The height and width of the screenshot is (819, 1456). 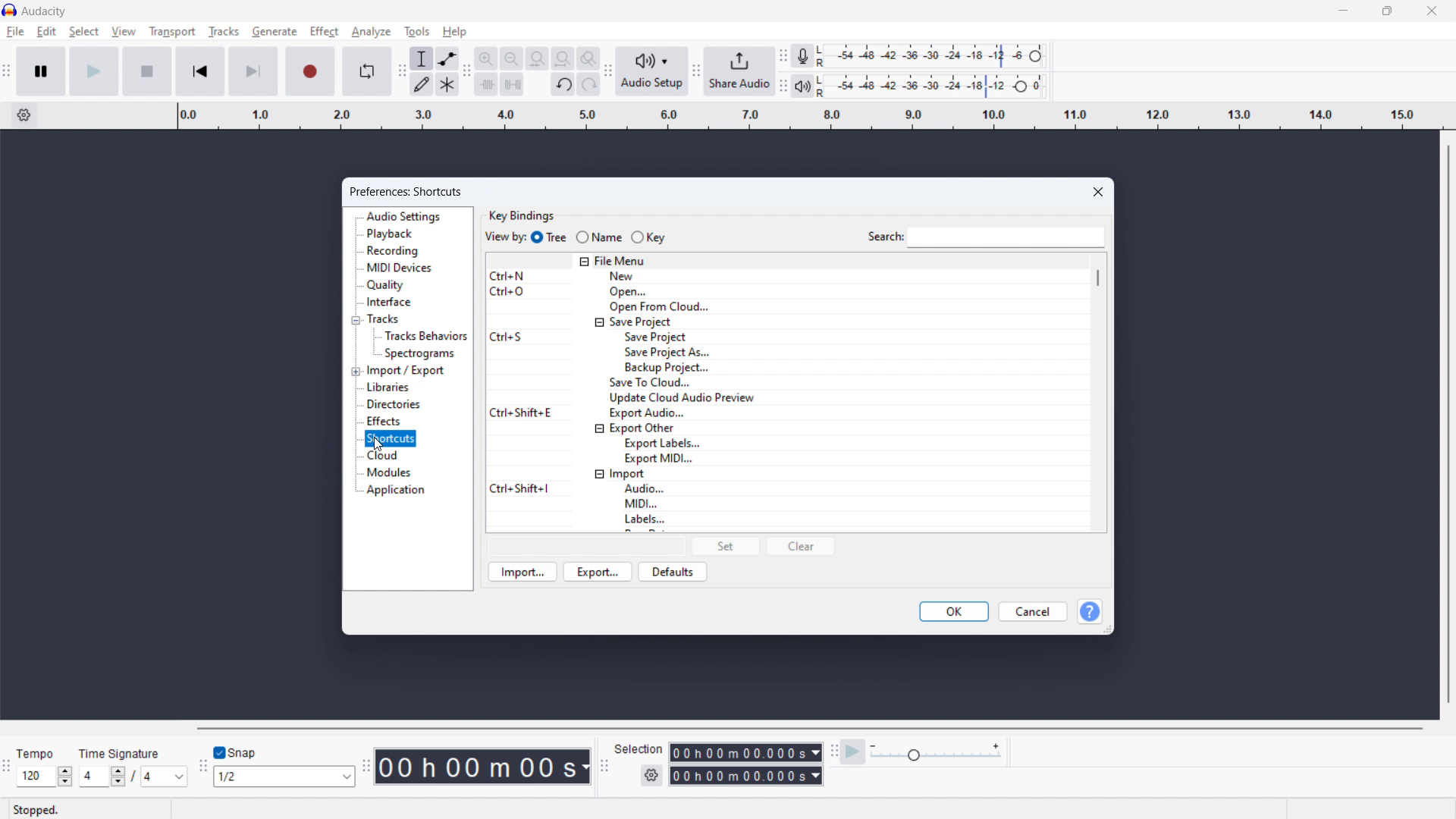 What do you see at coordinates (599, 237) in the screenshot?
I see `name` at bounding box center [599, 237].